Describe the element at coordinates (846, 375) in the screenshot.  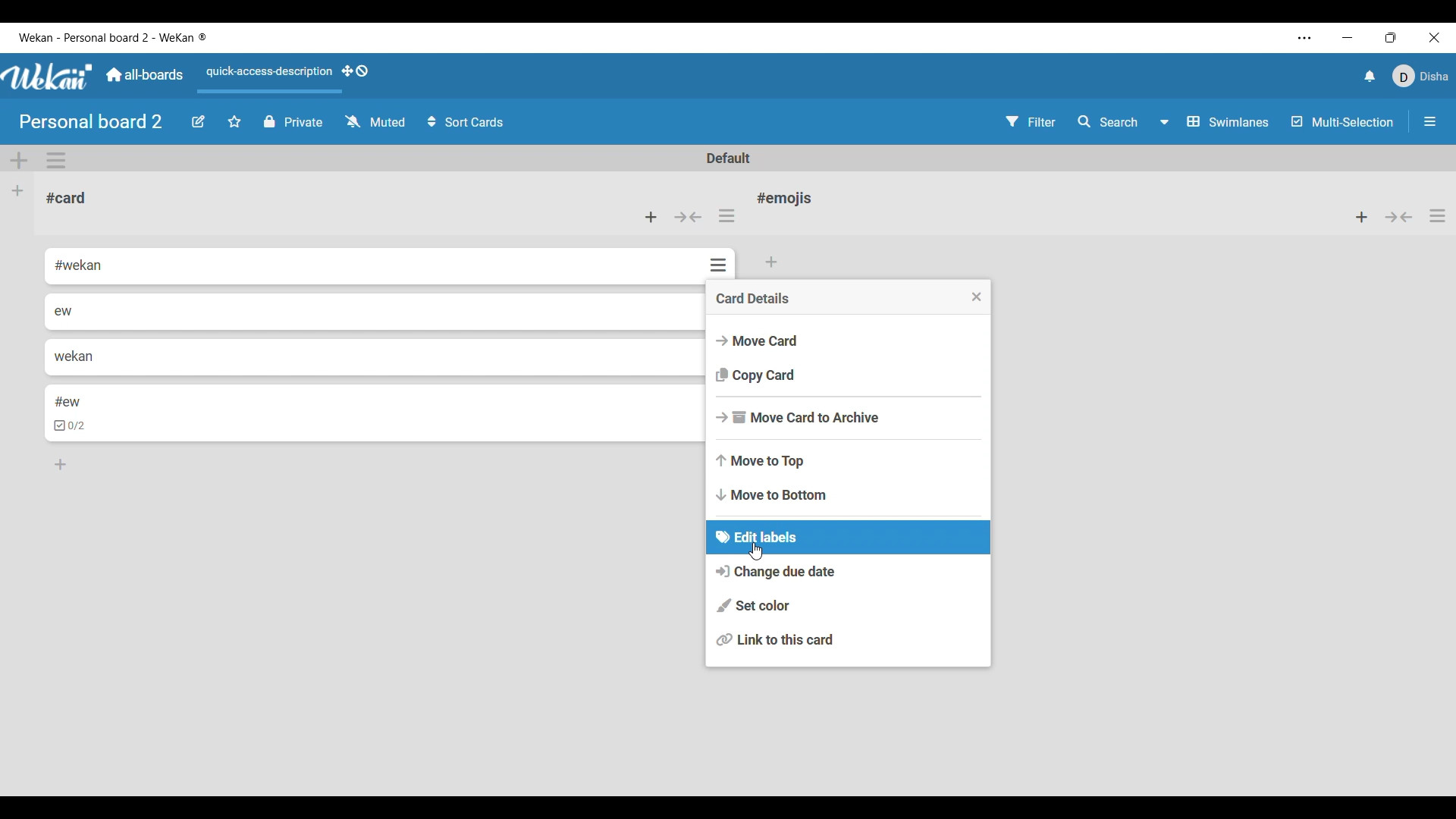
I see `Copy card` at that location.